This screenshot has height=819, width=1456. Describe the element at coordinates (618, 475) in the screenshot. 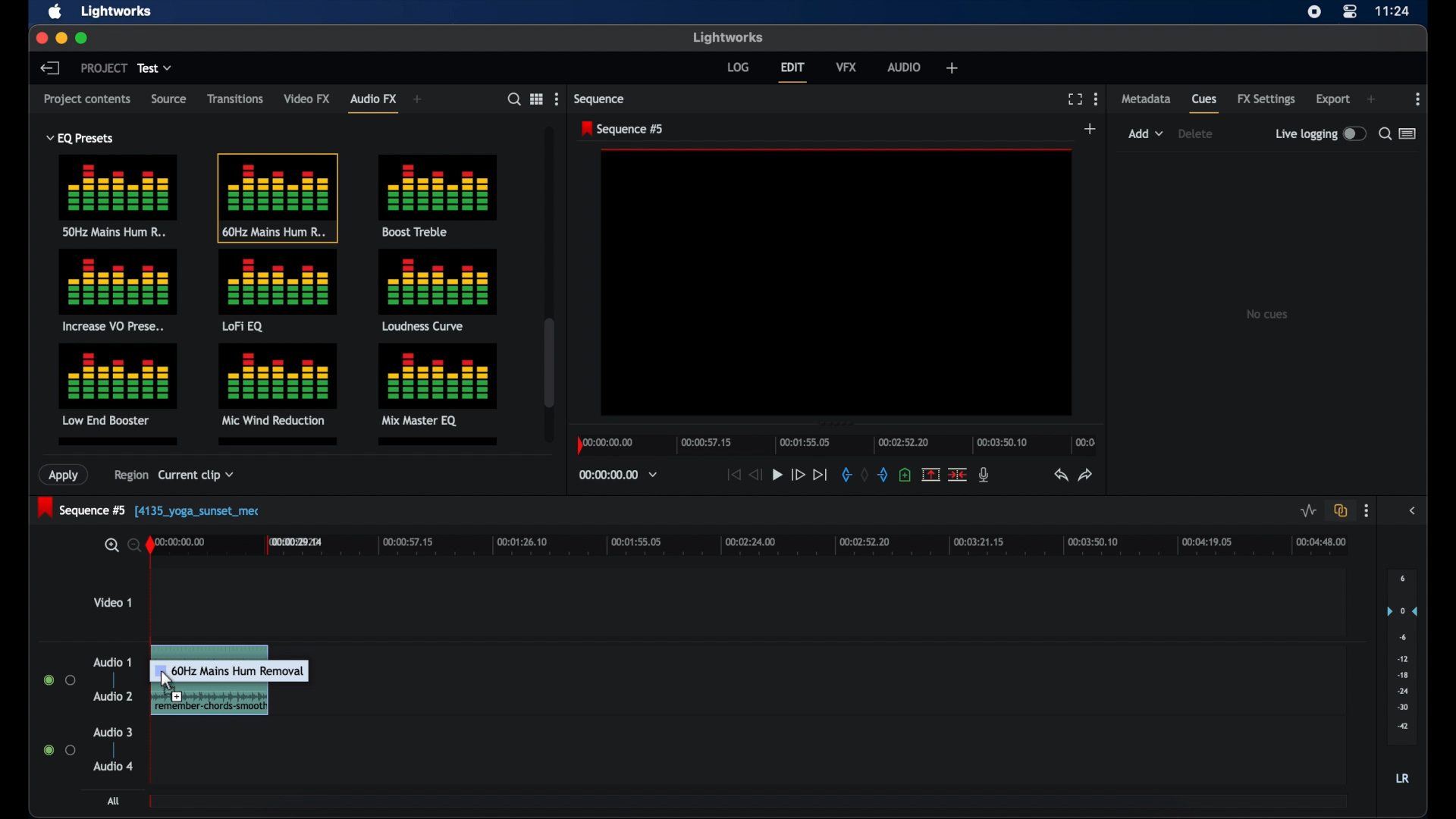

I see `timecodes and reels` at that location.